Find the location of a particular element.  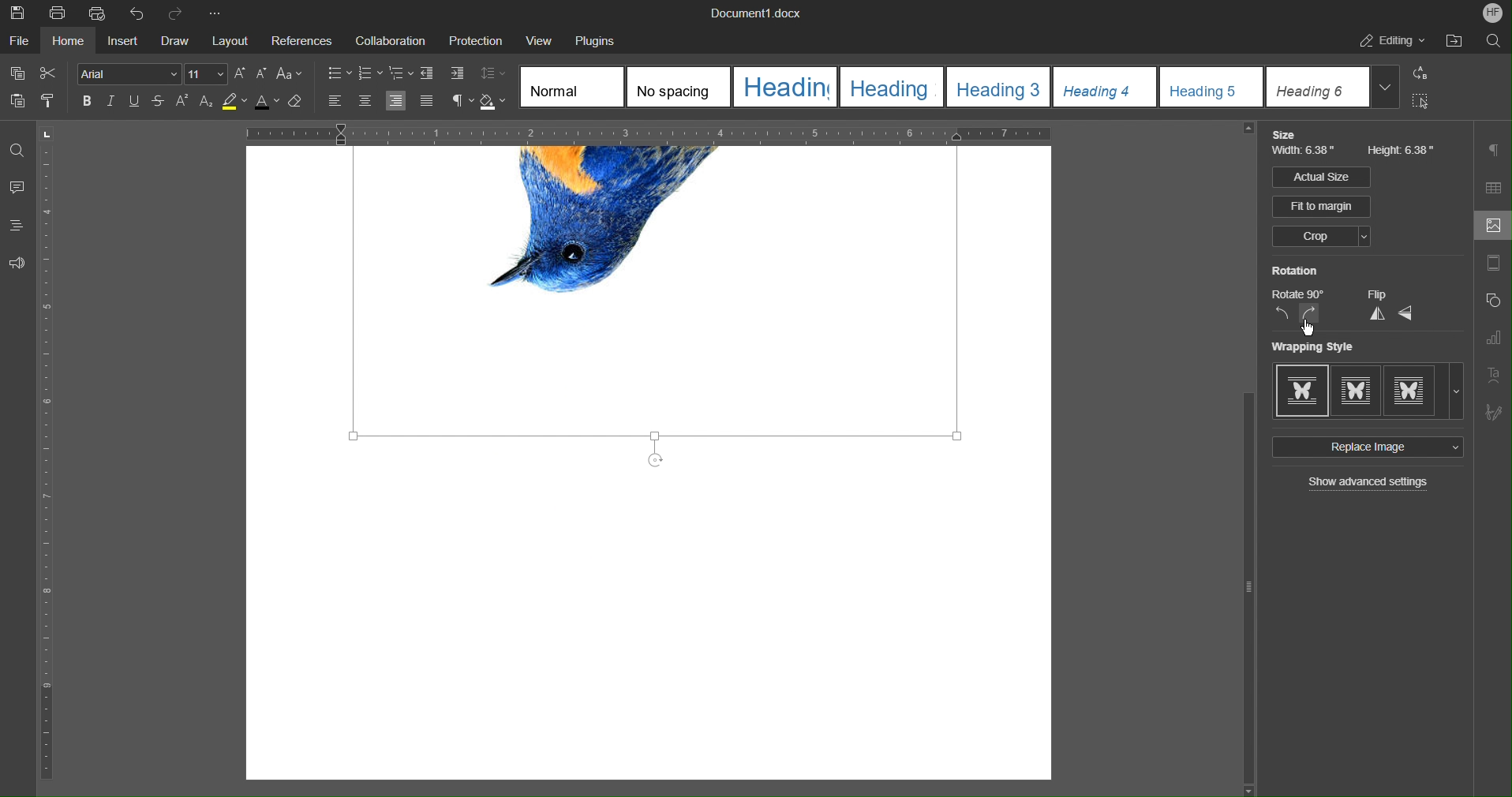

Open File Location is located at coordinates (1454, 42).